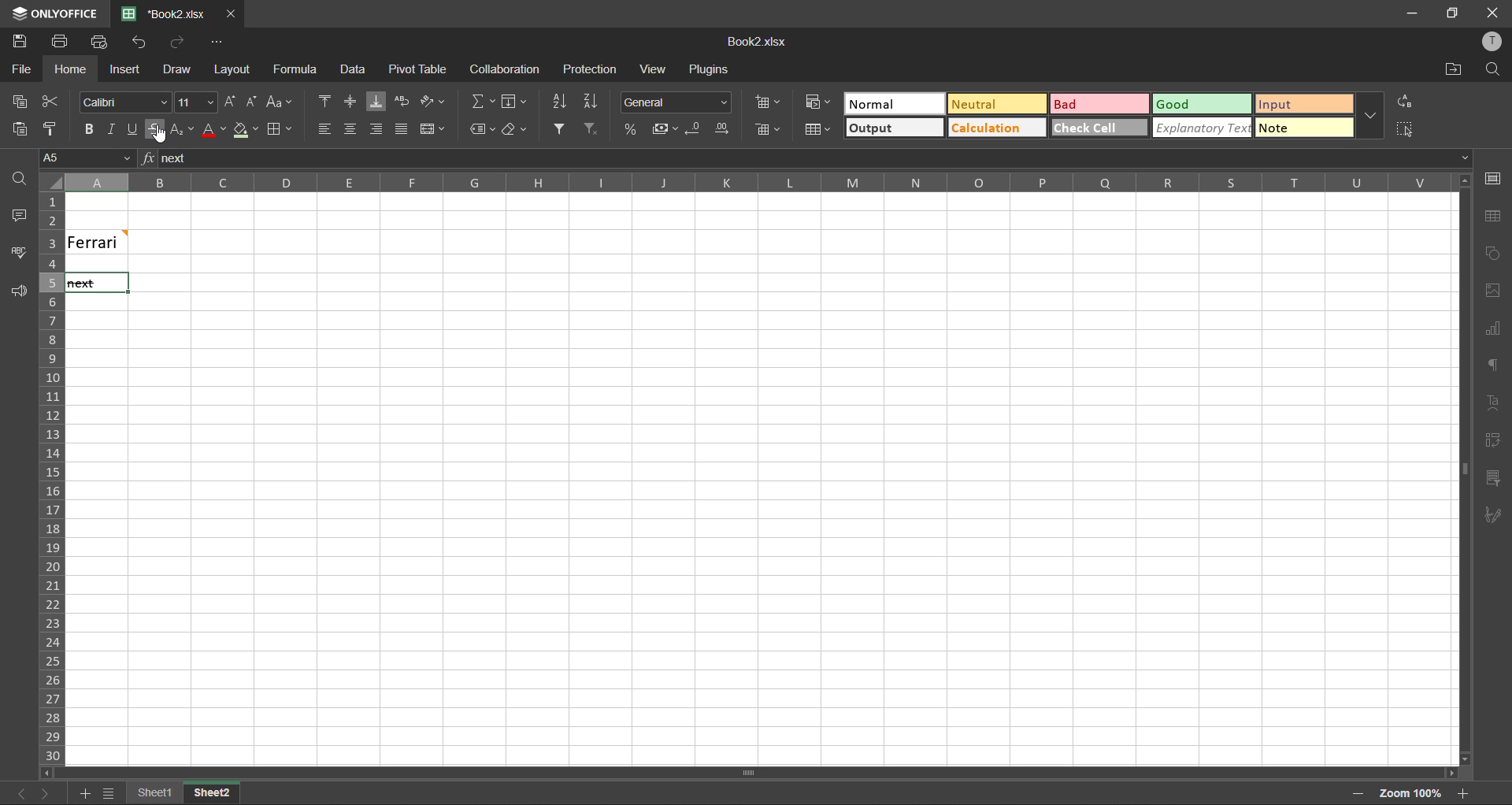  What do you see at coordinates (351, 102) in the screenshot?
I see `align middle` at bounding box center [351, 102].